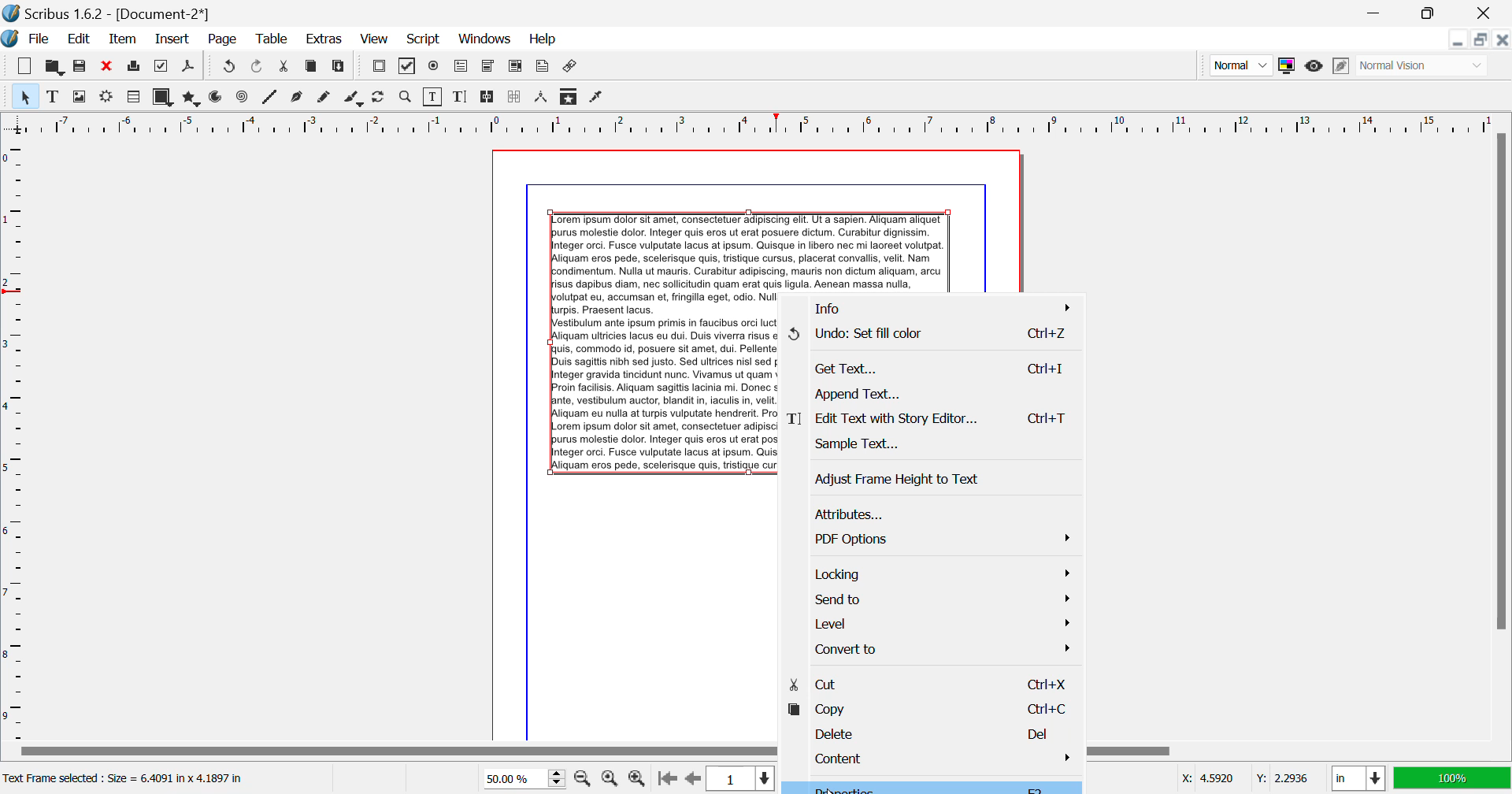 The image size is (1512, 794). Describe the element at coordinates (930, 571) in the screenshot. I see `Locking` at that location.